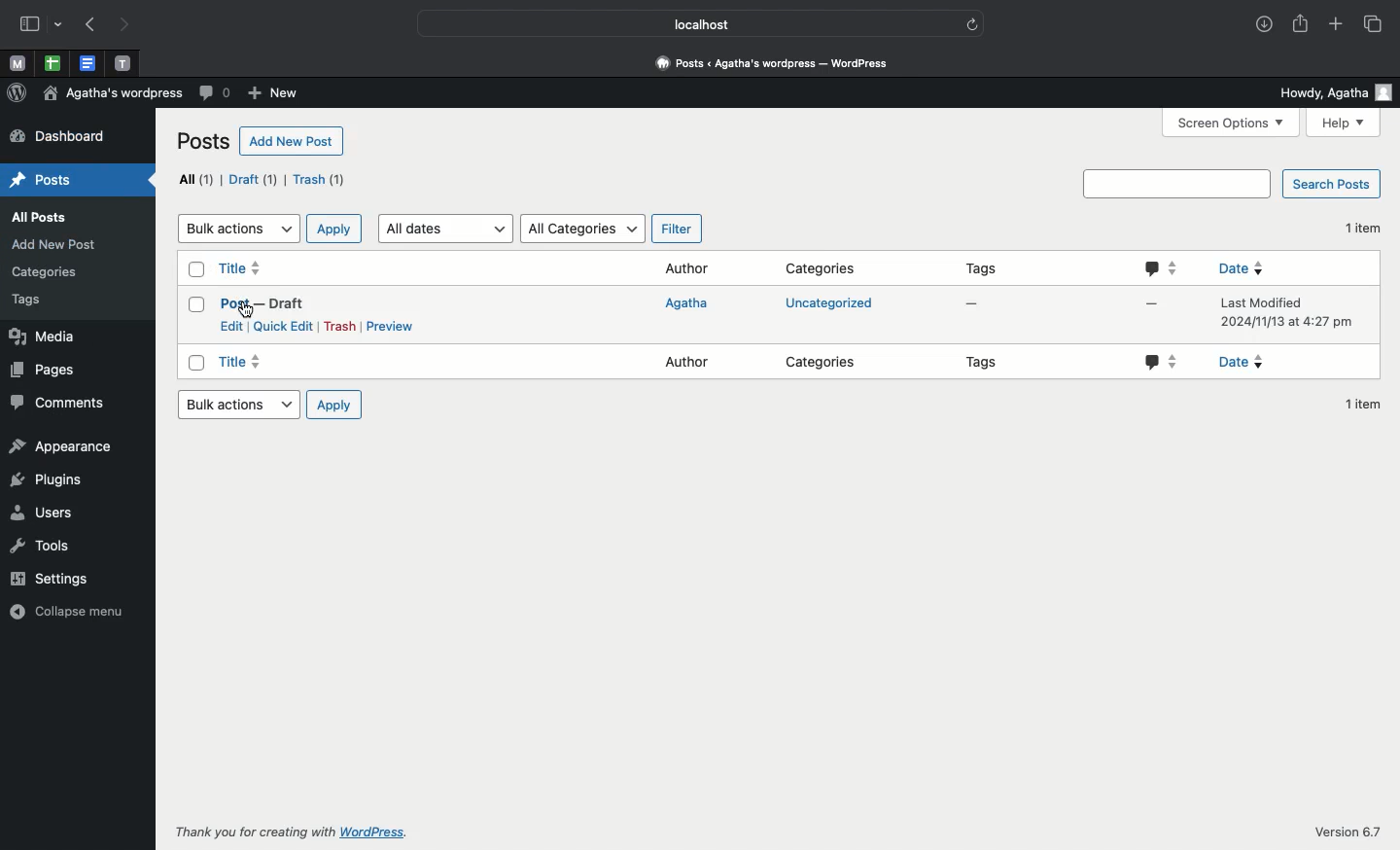 This screenshot has height=850, width=1400. I want to click on checkbox, so click(195, 304).